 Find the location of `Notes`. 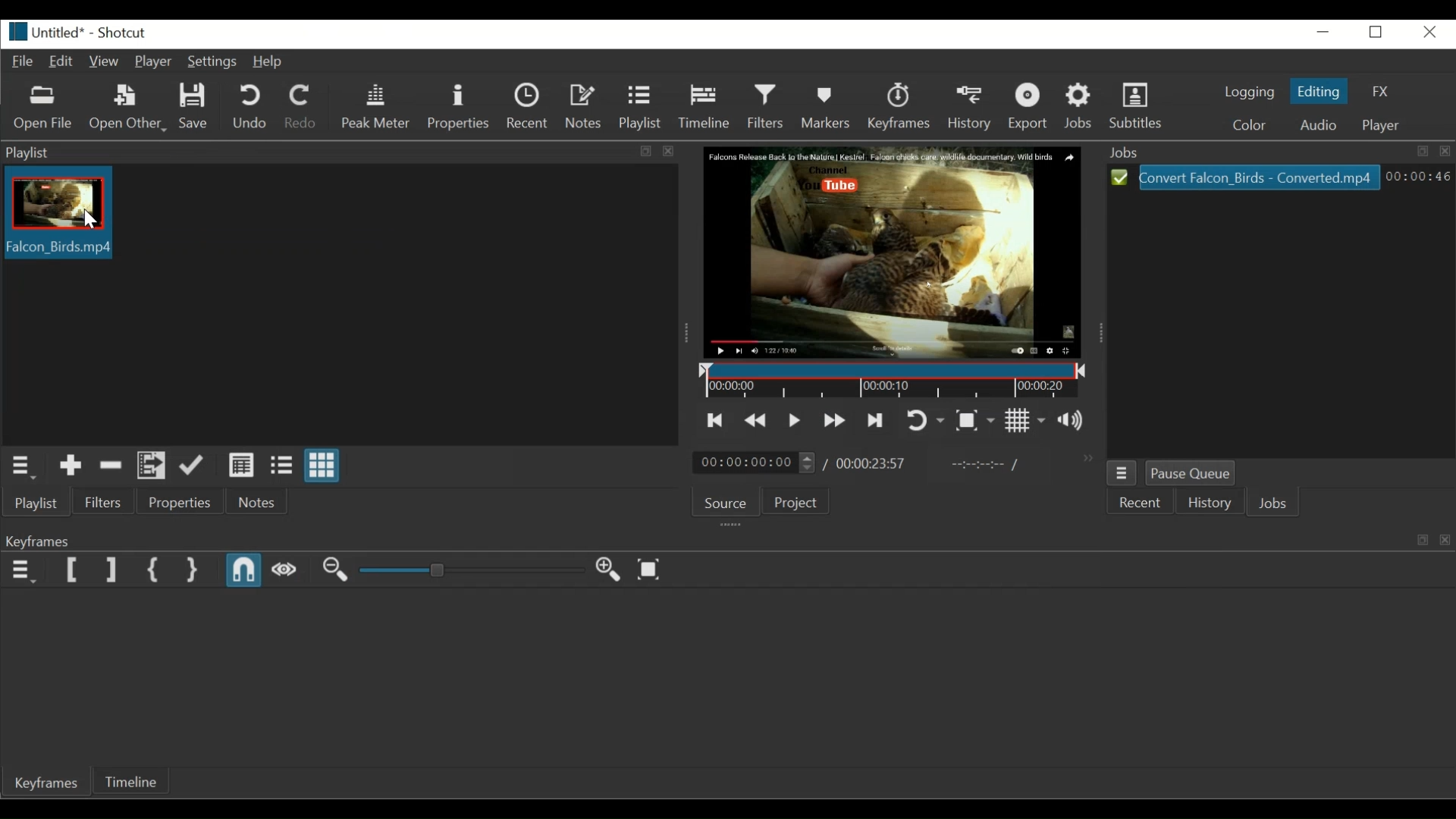

Notes is located at coordinates (256, 503).